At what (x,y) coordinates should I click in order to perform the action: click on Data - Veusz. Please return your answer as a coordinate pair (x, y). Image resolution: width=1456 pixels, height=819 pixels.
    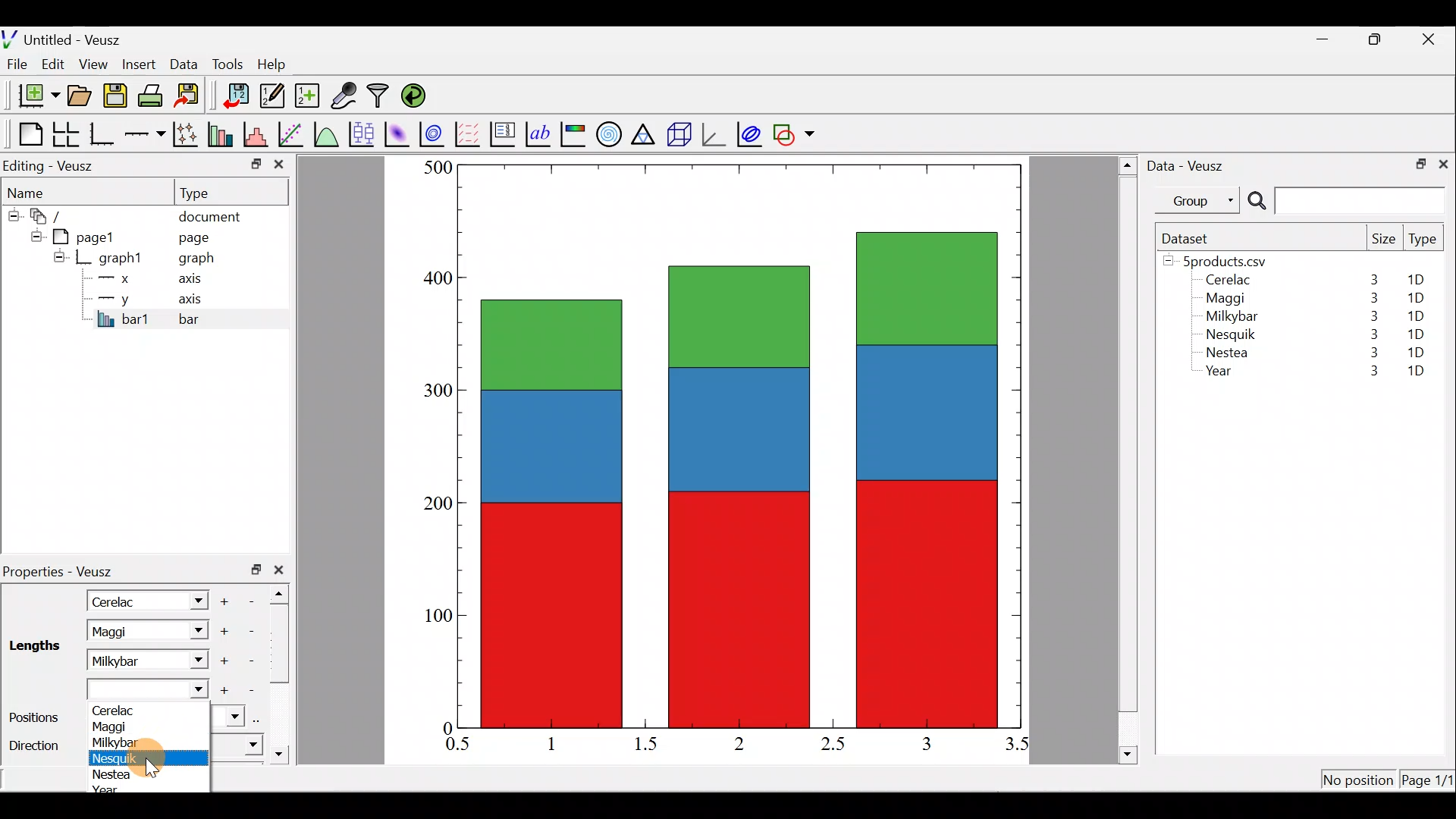
    Looking at the image, I should click on (1189, 164).